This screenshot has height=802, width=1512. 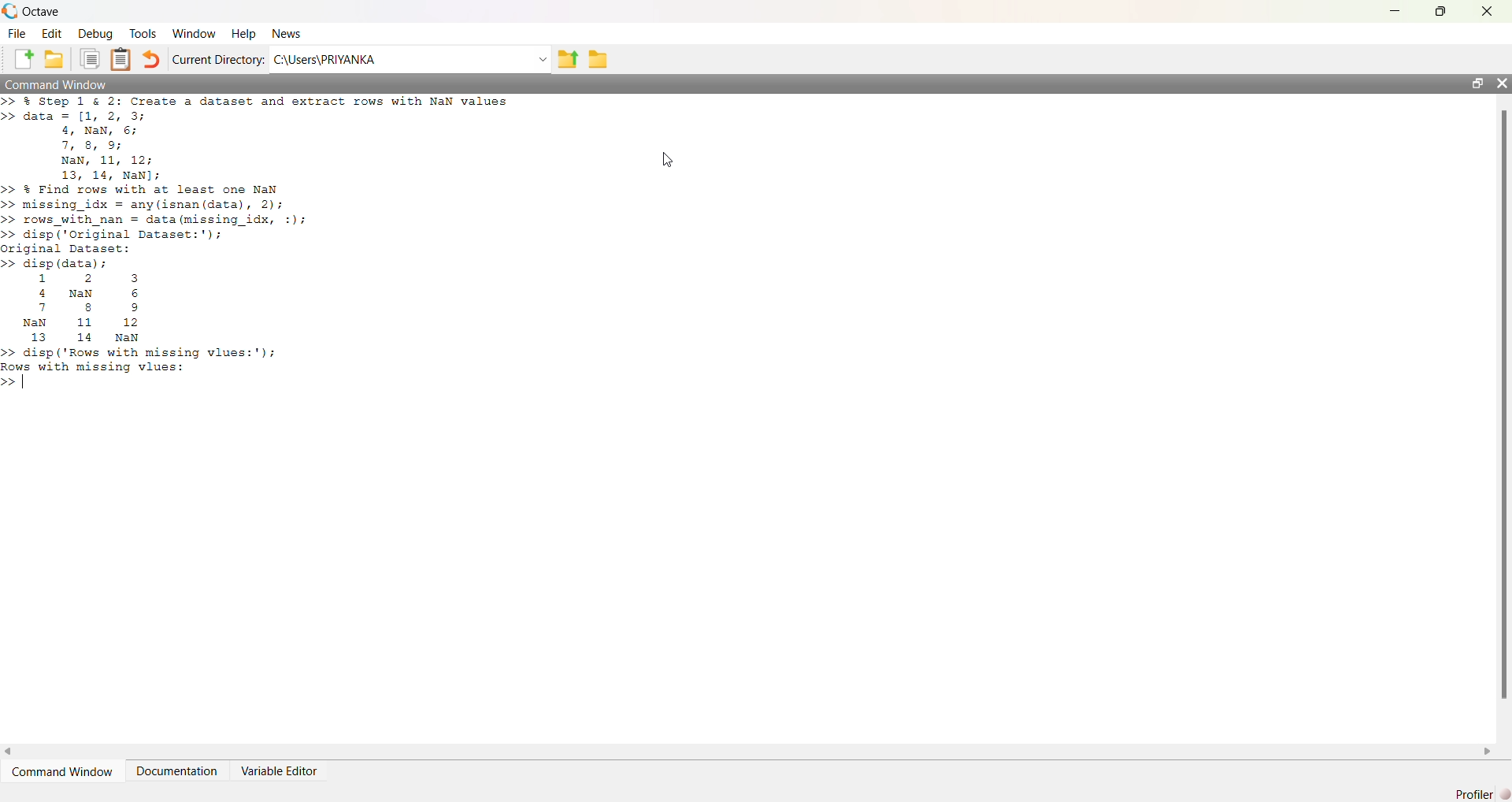 I want to click on Variable Editor, so click(x=278, y=771).